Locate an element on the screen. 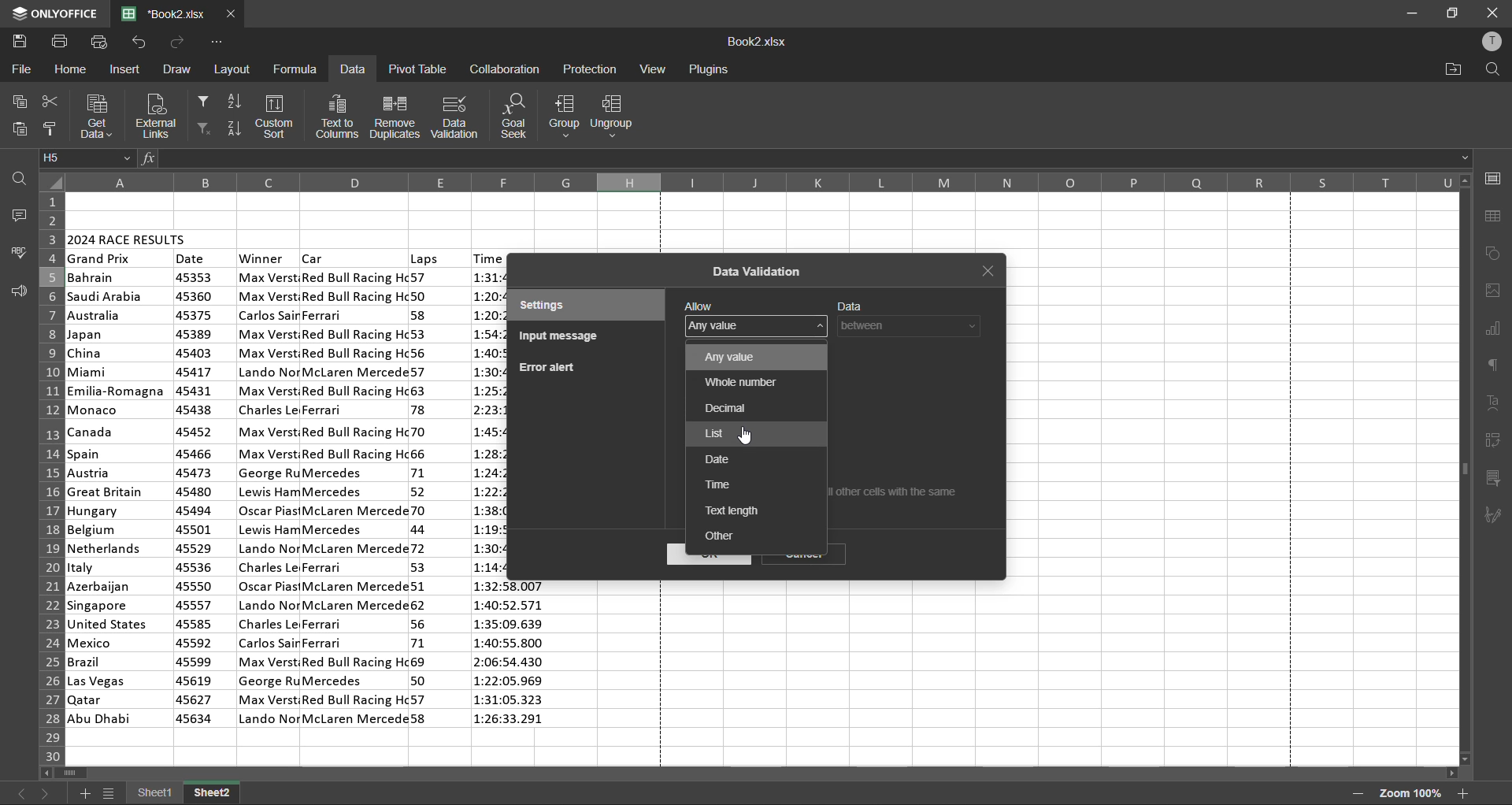 This screenshot has width=1512, height=805. winner is located at coordinates (269, 497).